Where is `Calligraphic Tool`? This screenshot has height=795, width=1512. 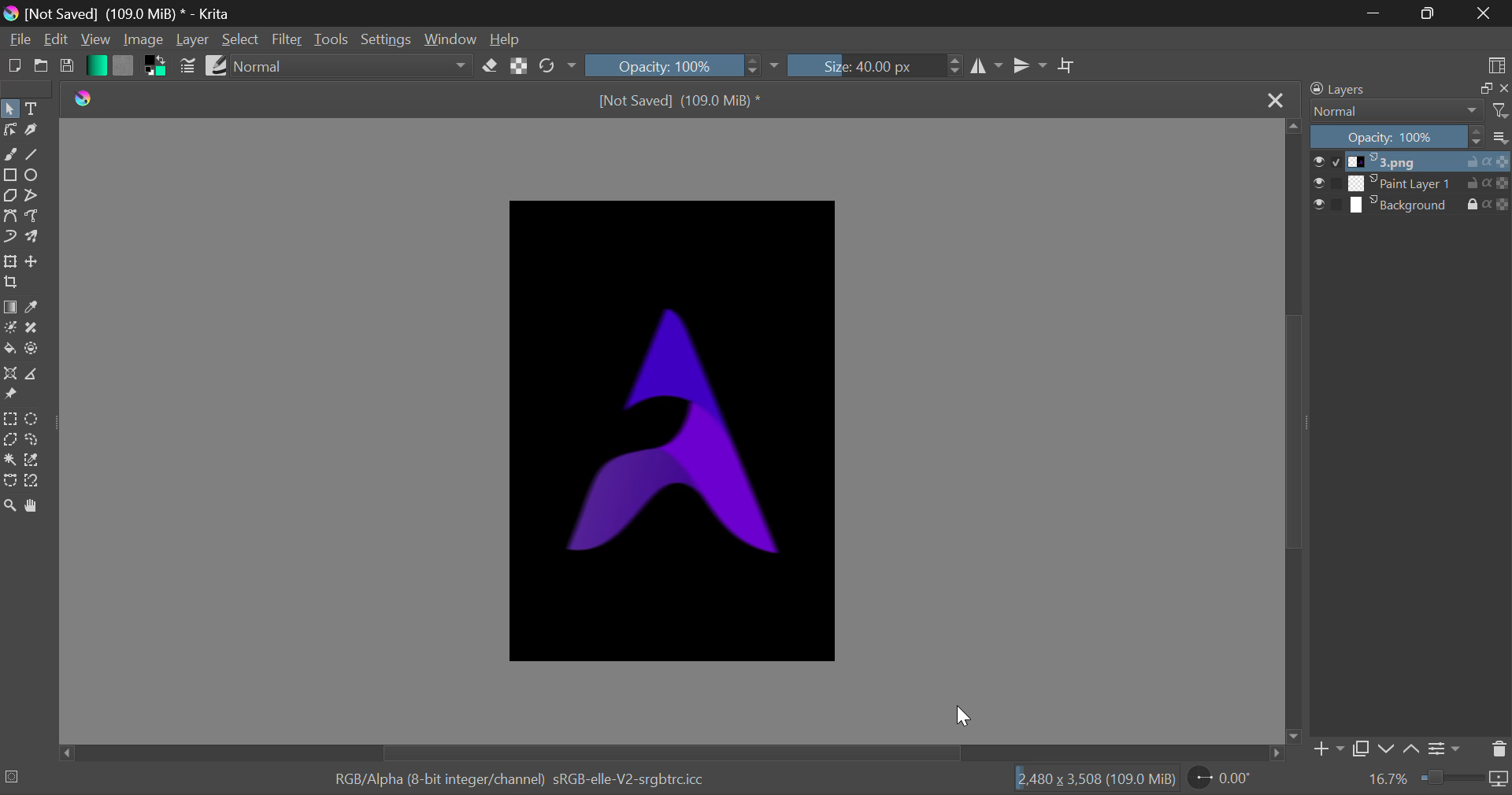
Calligraphic Tool is located at coordinates (31, 131).